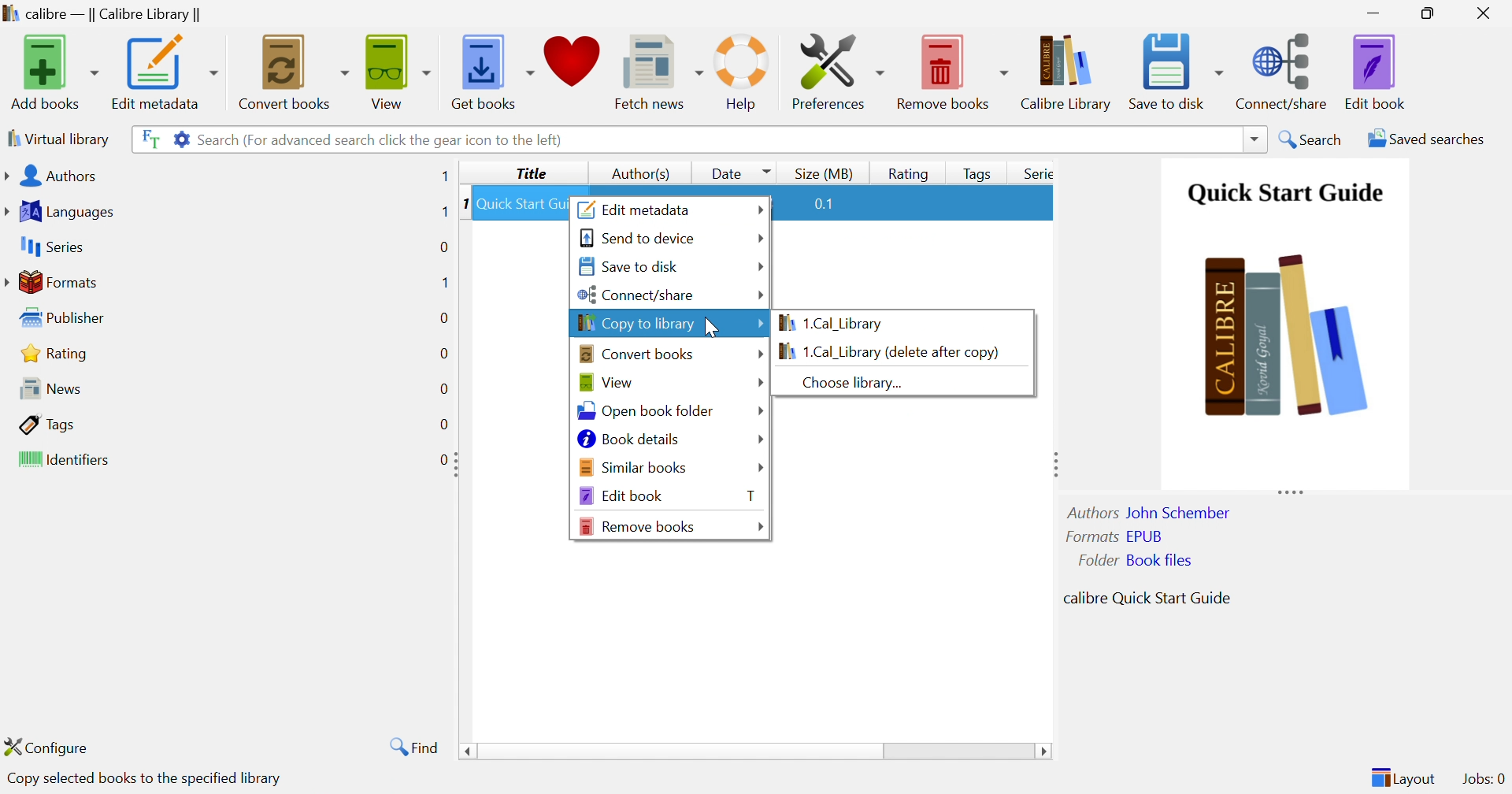  What do you see at coordinates (602, 380) in the screenshot?
I see `View` at bounding box center [602, 380].